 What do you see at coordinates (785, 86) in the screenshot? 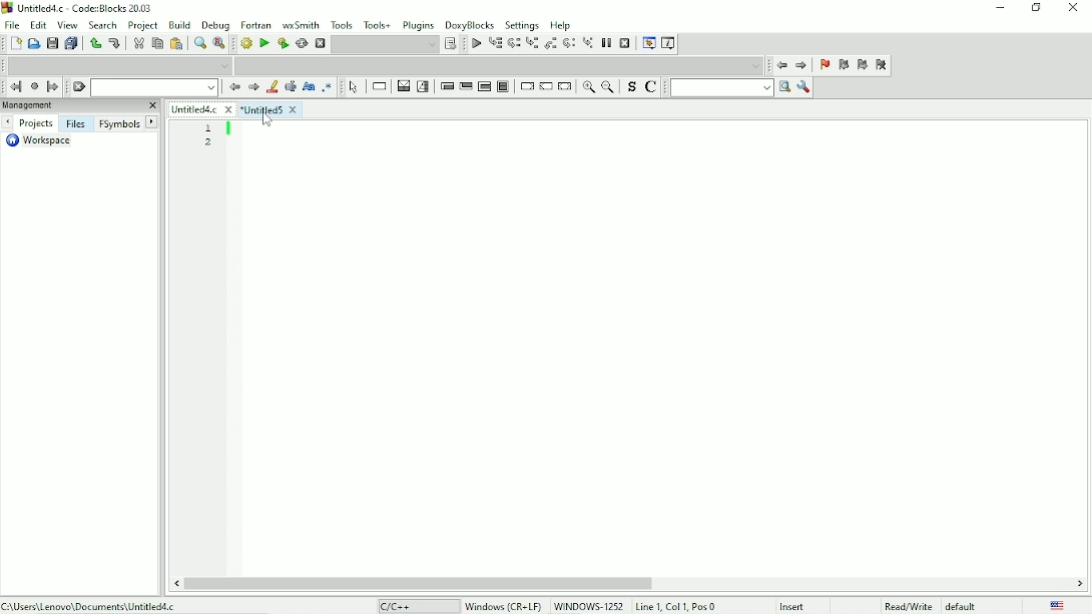
I see `search` at bounding box center [785, 86].